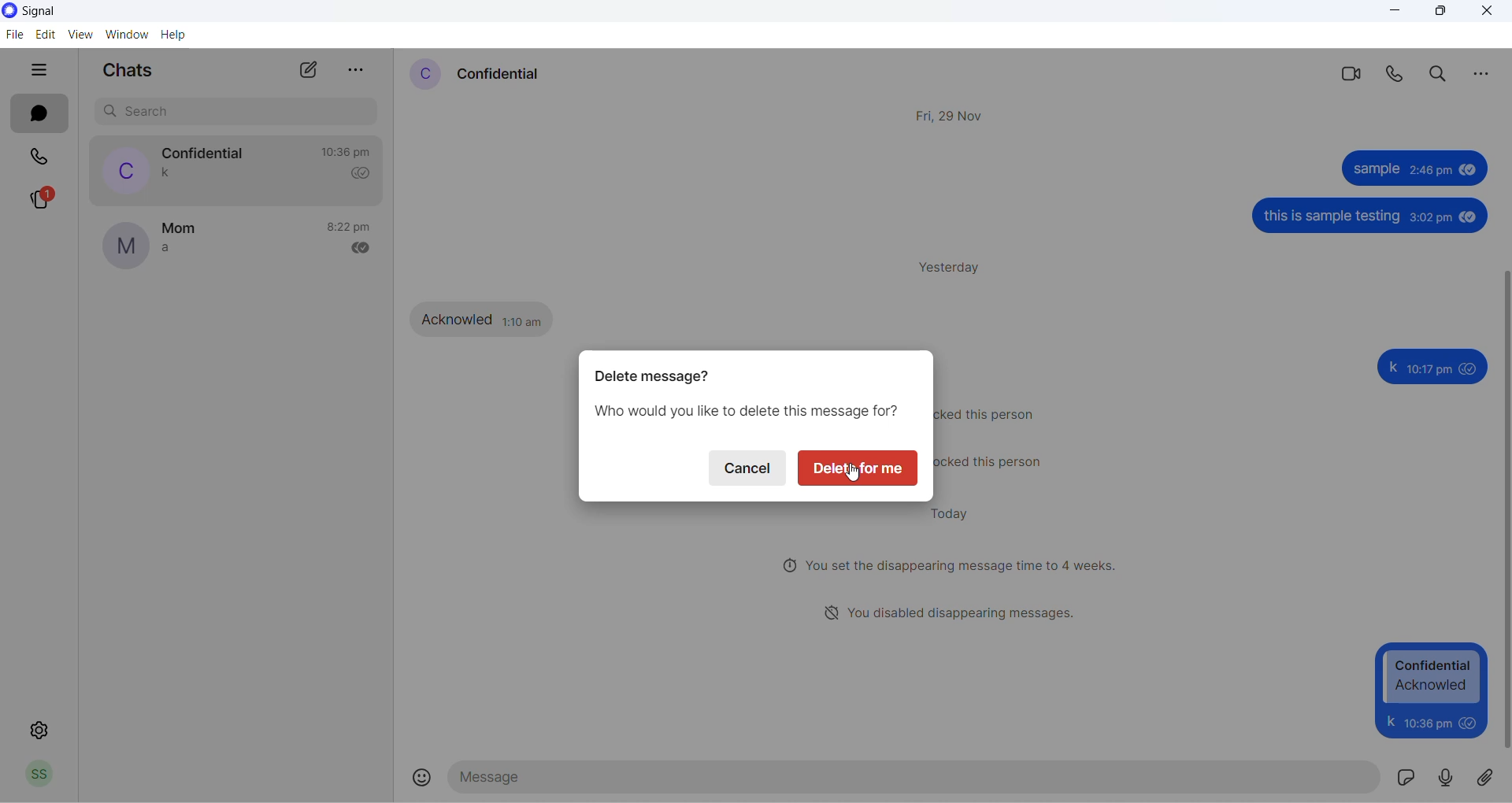 This screenshot has width=1512, height=803. I want to click on Fri, 29 Nov, so click(966, 120).